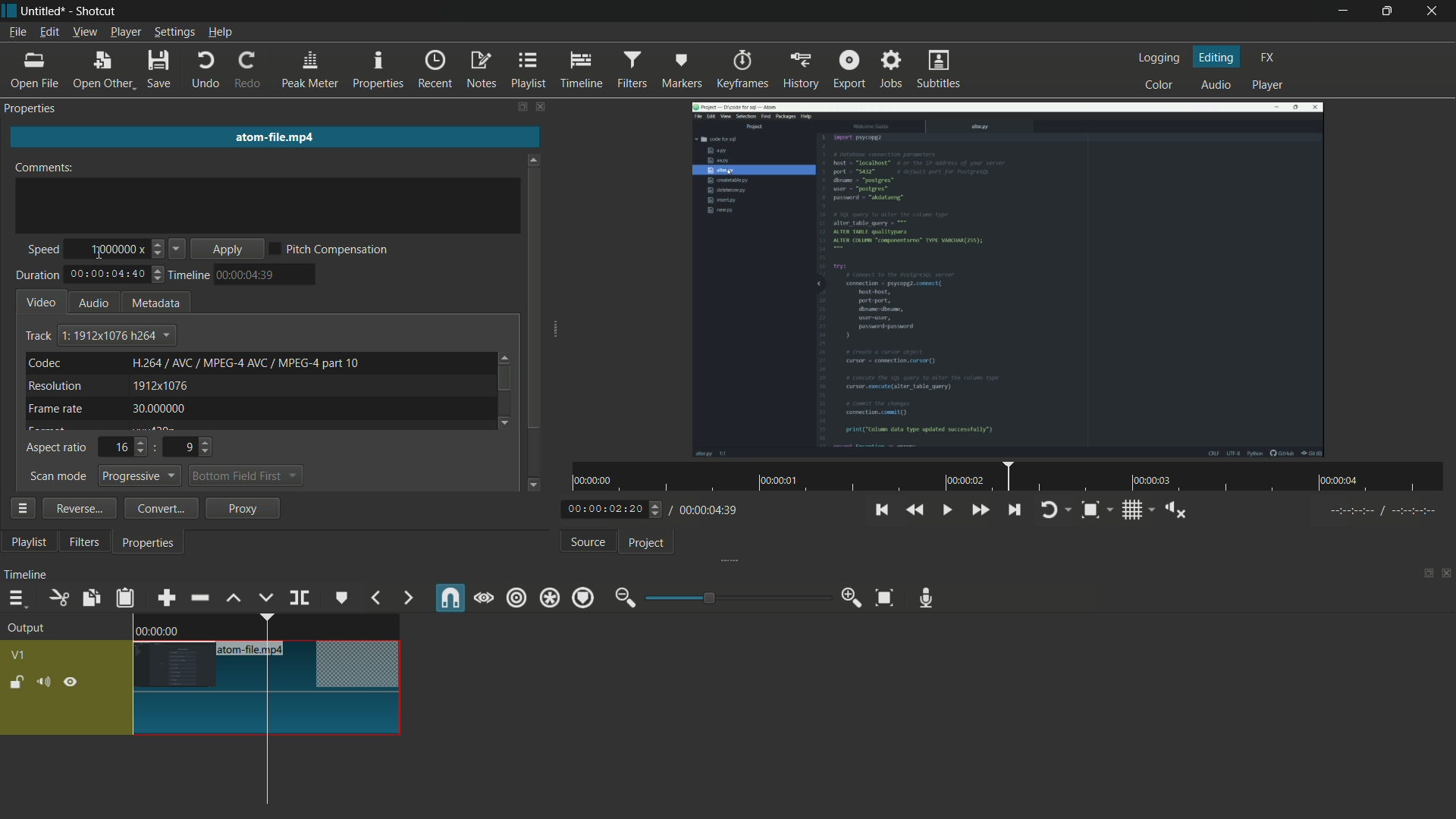 This screenshot has width=1456, height=819. Describe the element at coordinates (45, 362) in the screenshot. I see `codec` at that location.